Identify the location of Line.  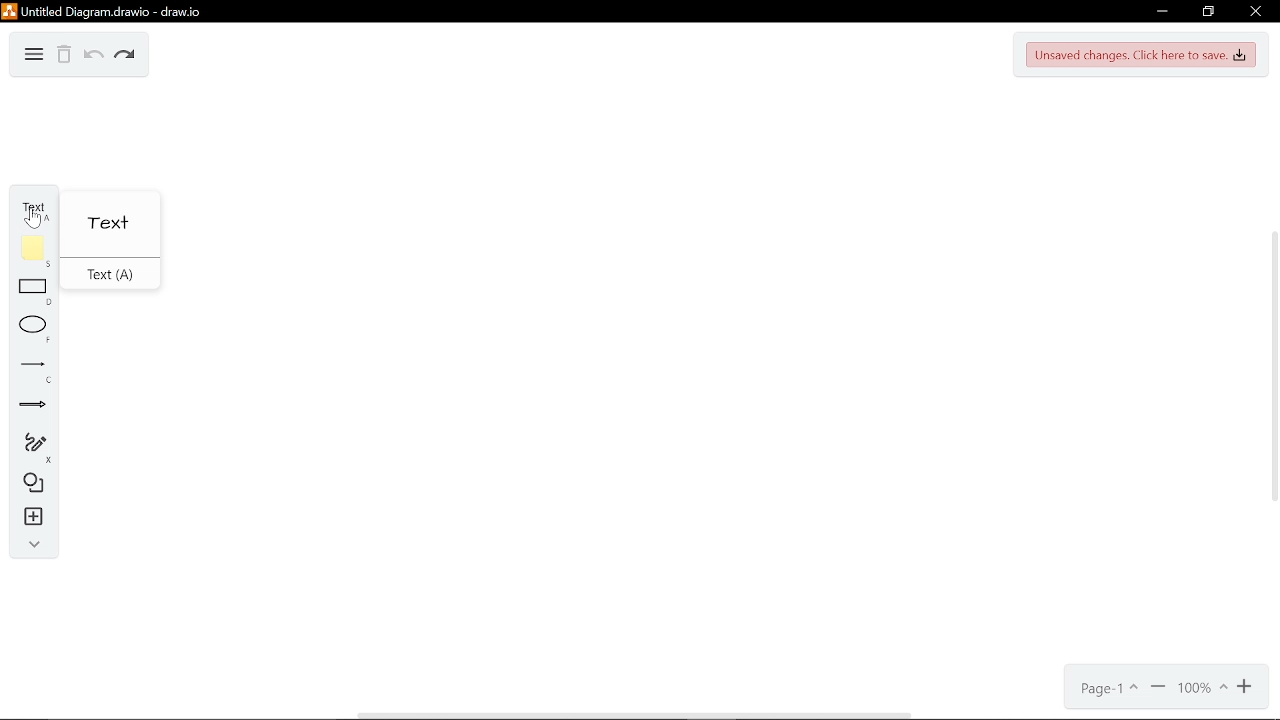
(28, 370).